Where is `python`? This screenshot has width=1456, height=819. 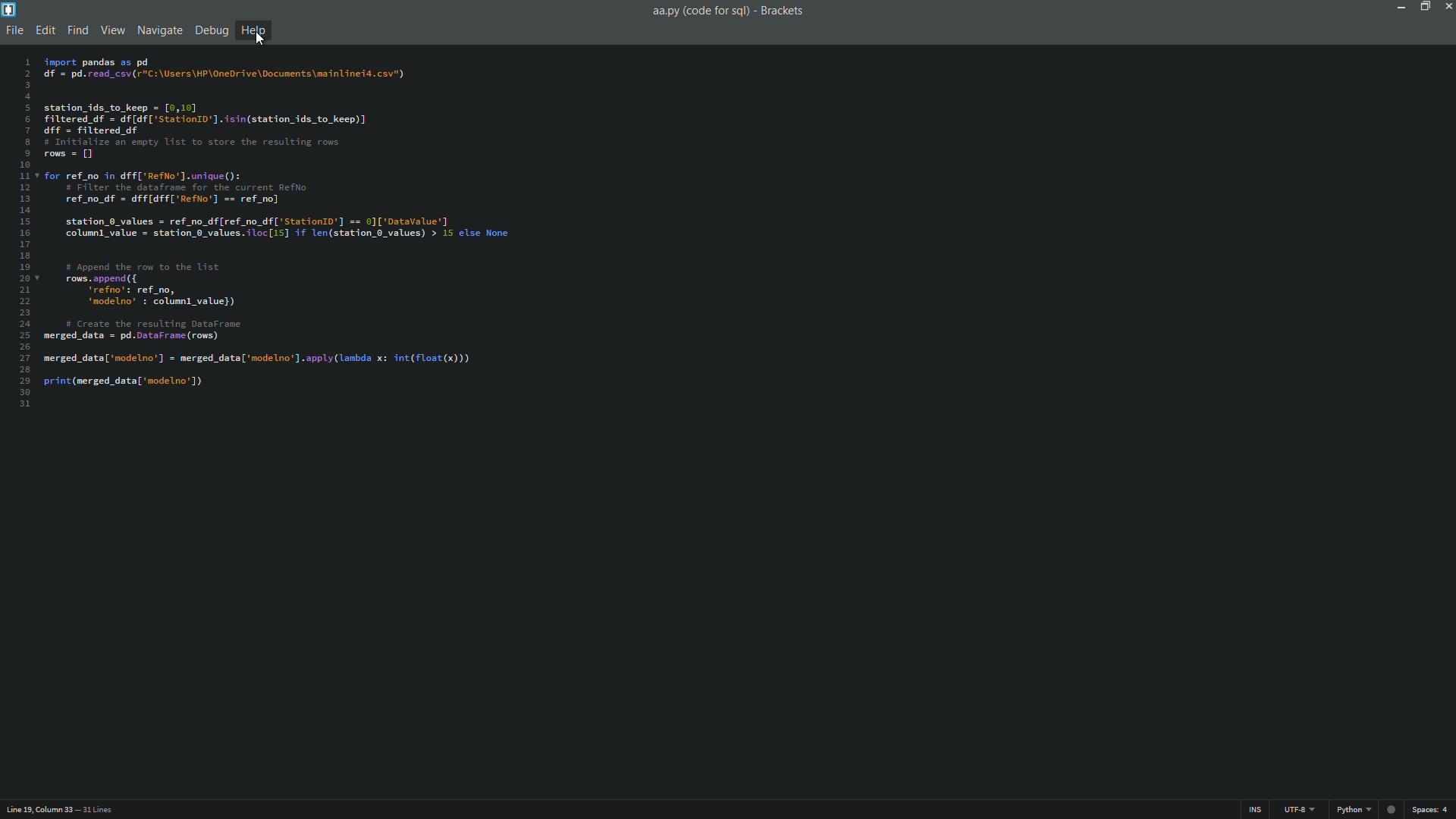
python is located at coordinates (1351, 810).